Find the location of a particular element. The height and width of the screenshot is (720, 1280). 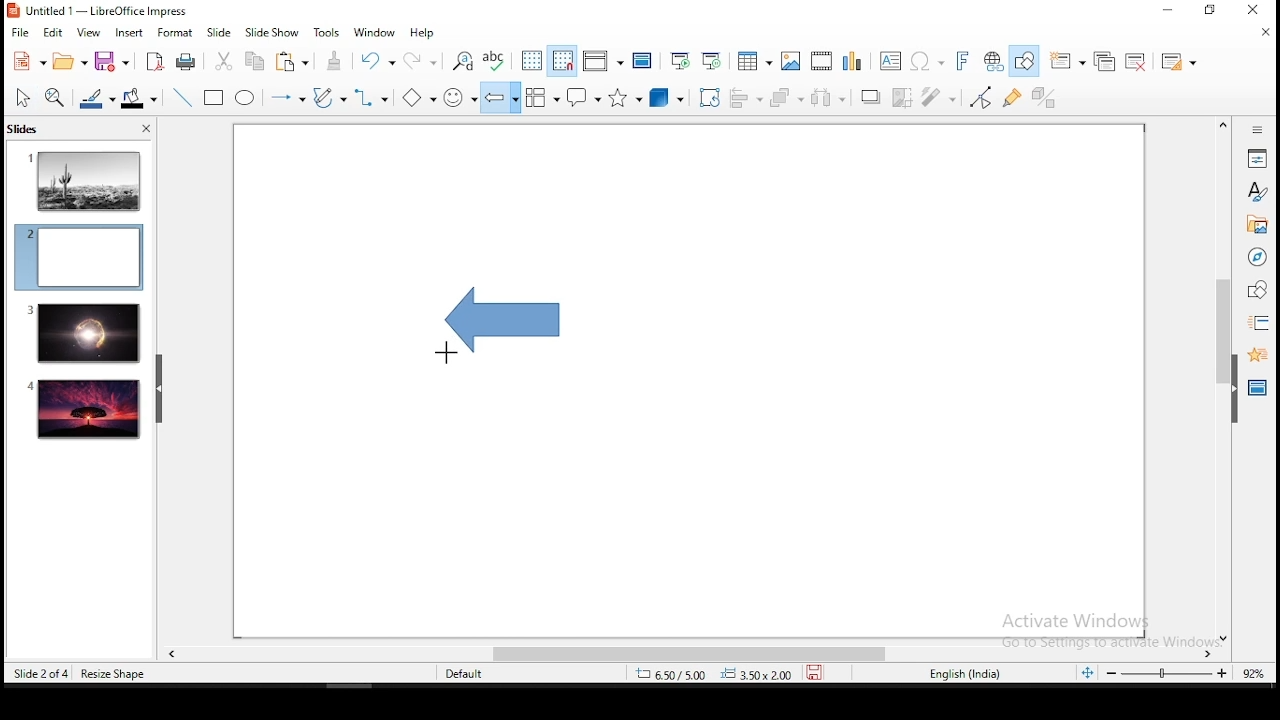

default is located at coordinates (466, 673).